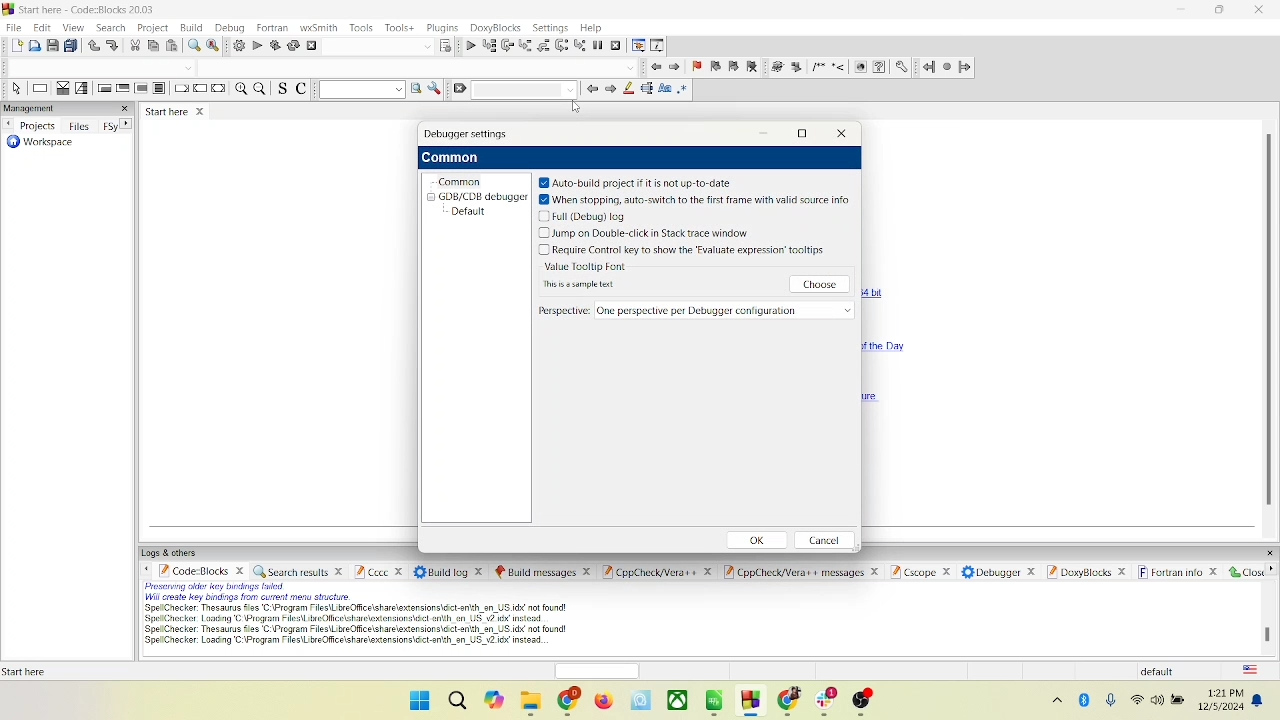 The height and width of the screenshot is (720, 1280). I want to click on choose, so click(818, 284).